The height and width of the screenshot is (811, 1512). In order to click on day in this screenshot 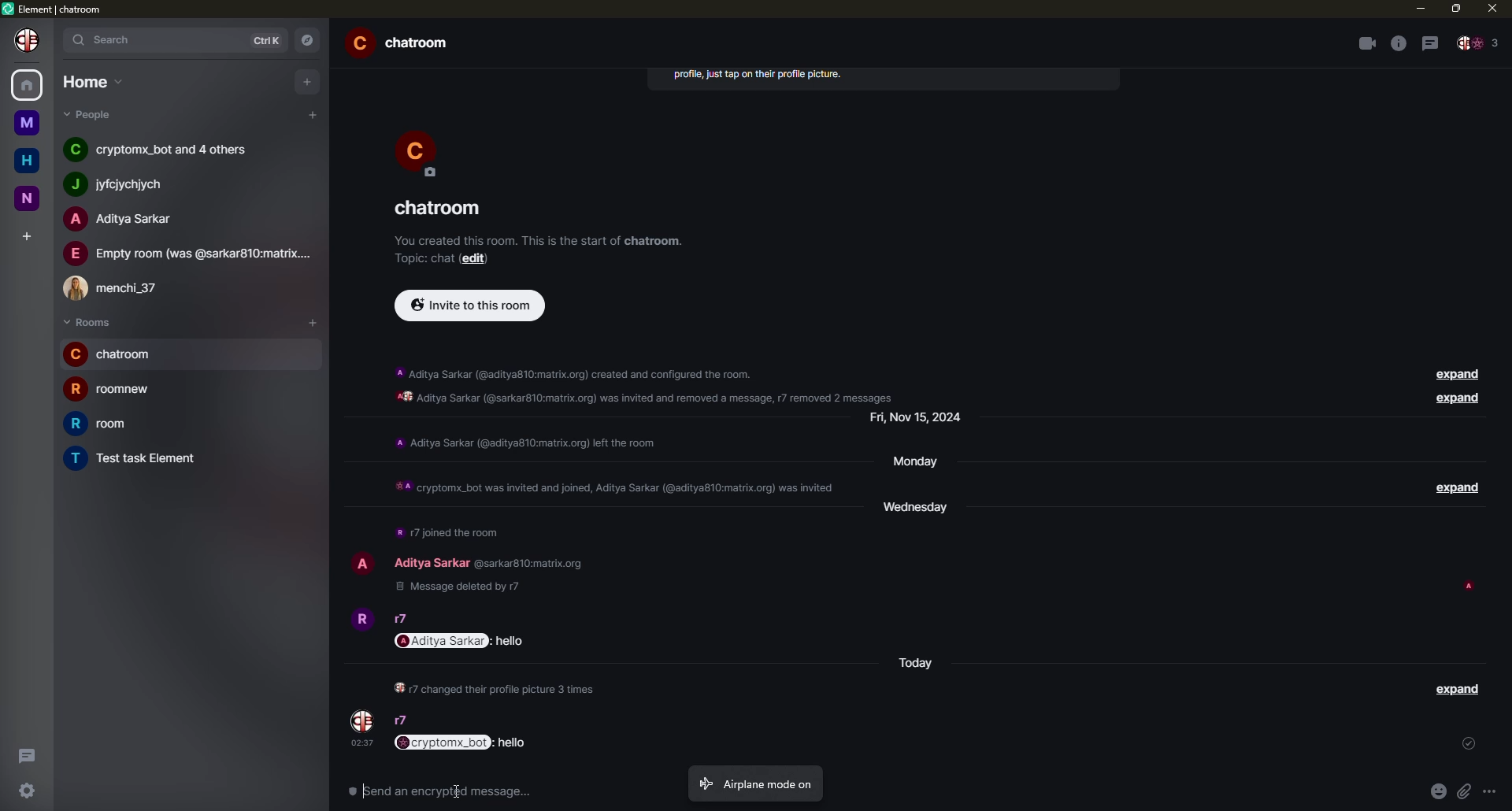, I will do `click(920, 511)`.